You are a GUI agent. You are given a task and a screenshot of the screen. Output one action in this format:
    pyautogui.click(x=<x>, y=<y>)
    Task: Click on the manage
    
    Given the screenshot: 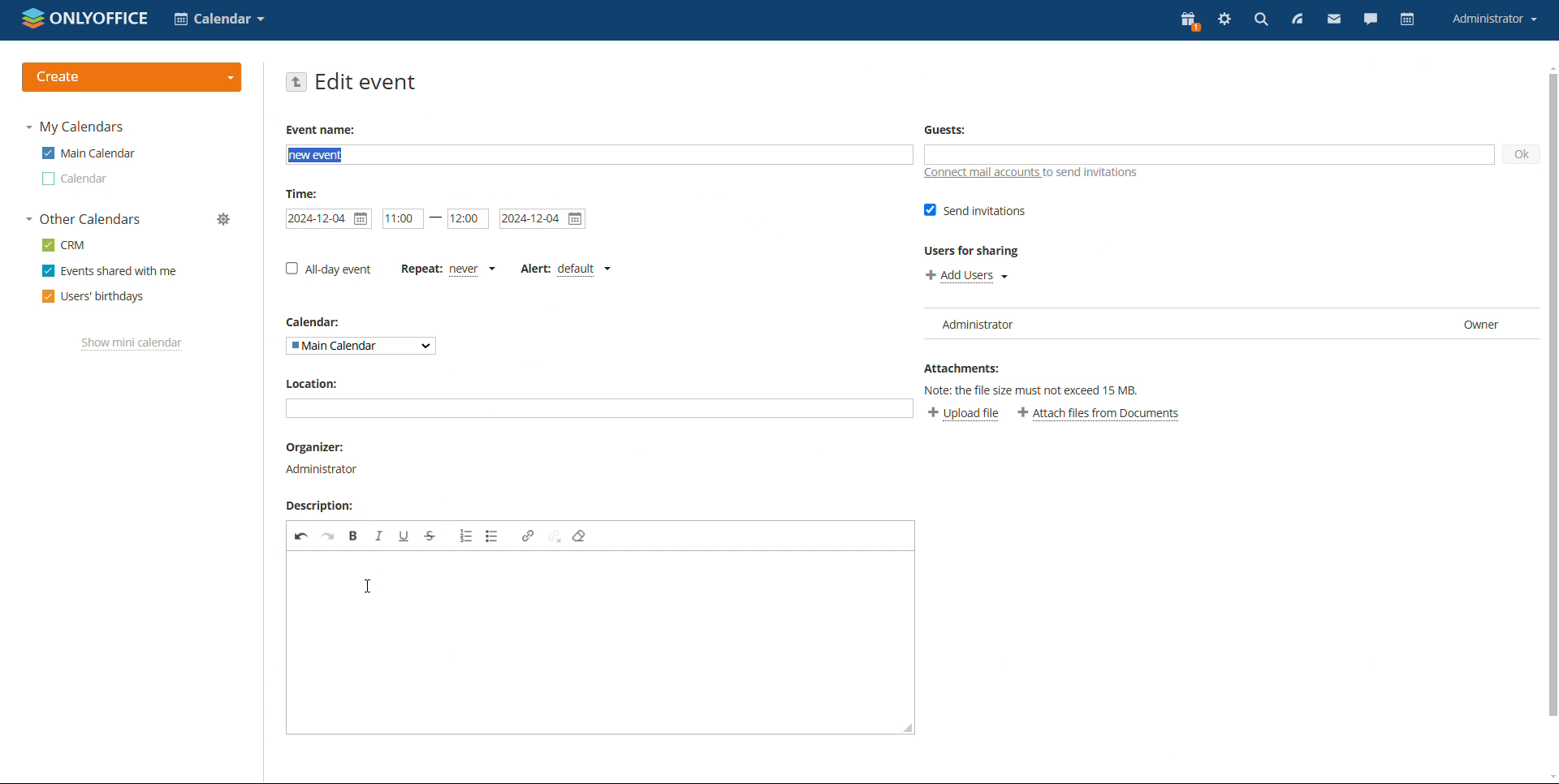 What is the action you would take?
    pyautogui.click(x=225, y=220)
    